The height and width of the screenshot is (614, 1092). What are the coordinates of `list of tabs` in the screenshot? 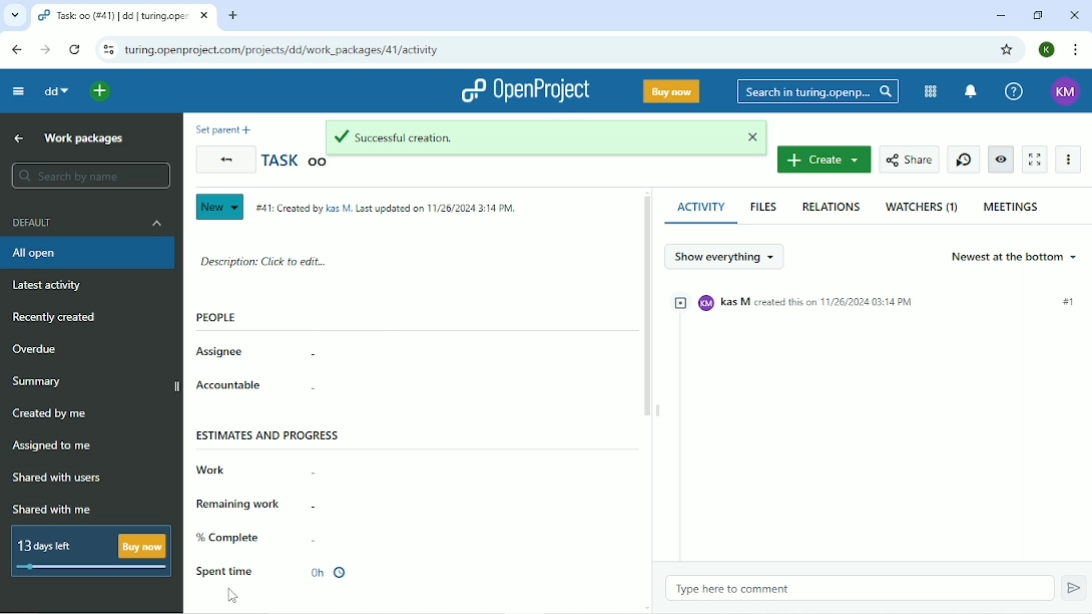 It's located at (14, 13).